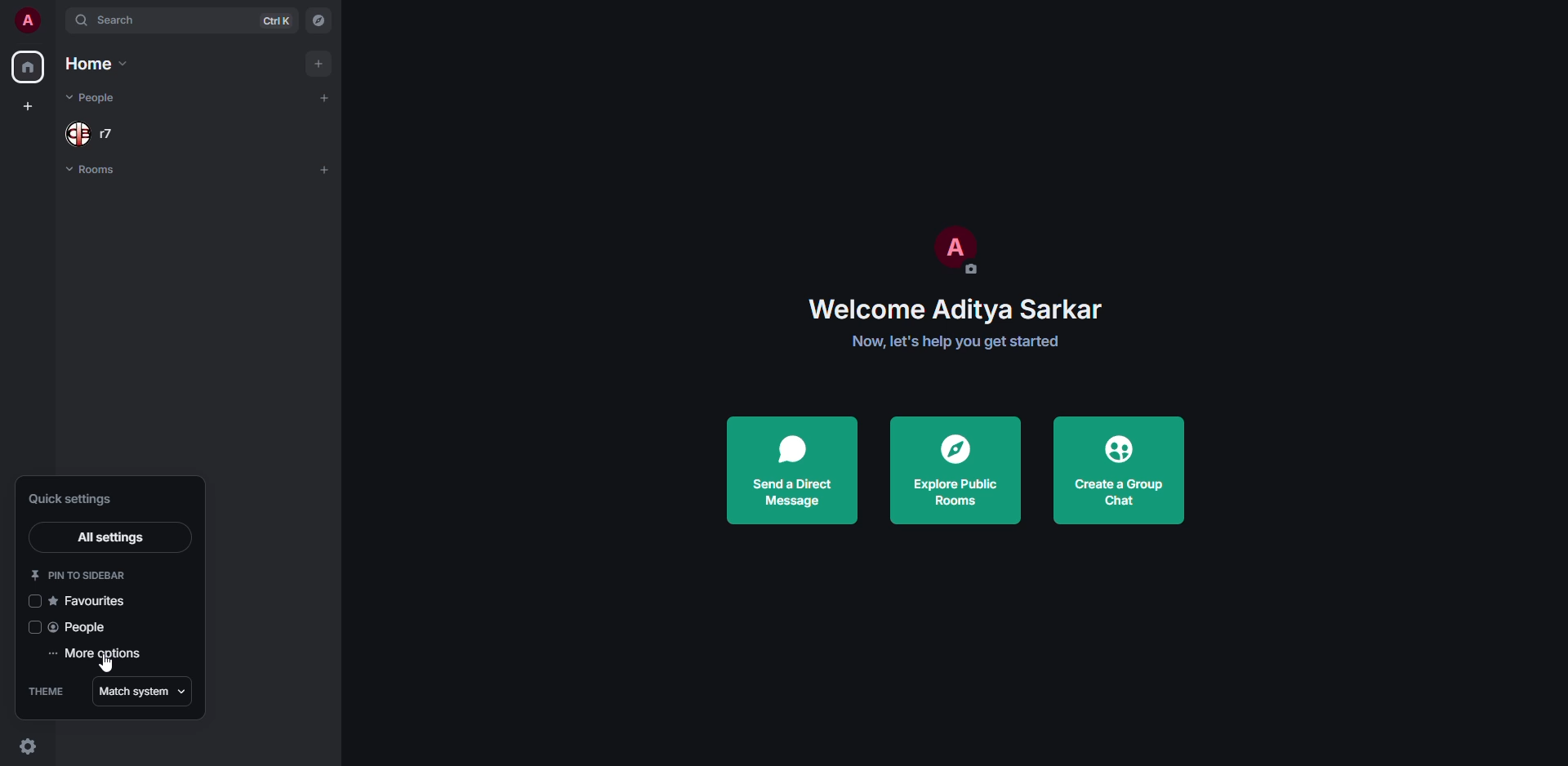  I want to click on profile, so click(959, 248).